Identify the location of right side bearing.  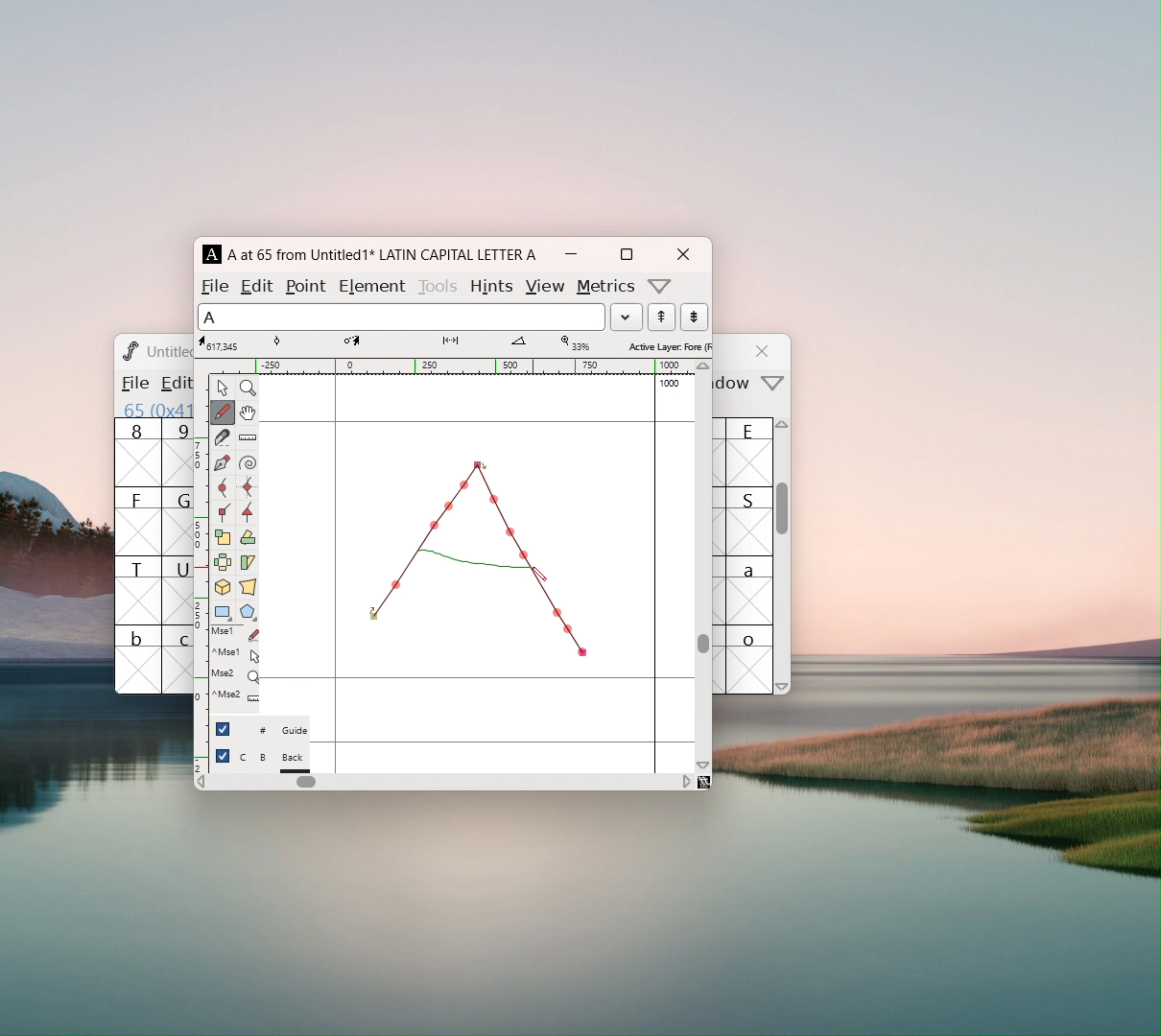
(655, 573).